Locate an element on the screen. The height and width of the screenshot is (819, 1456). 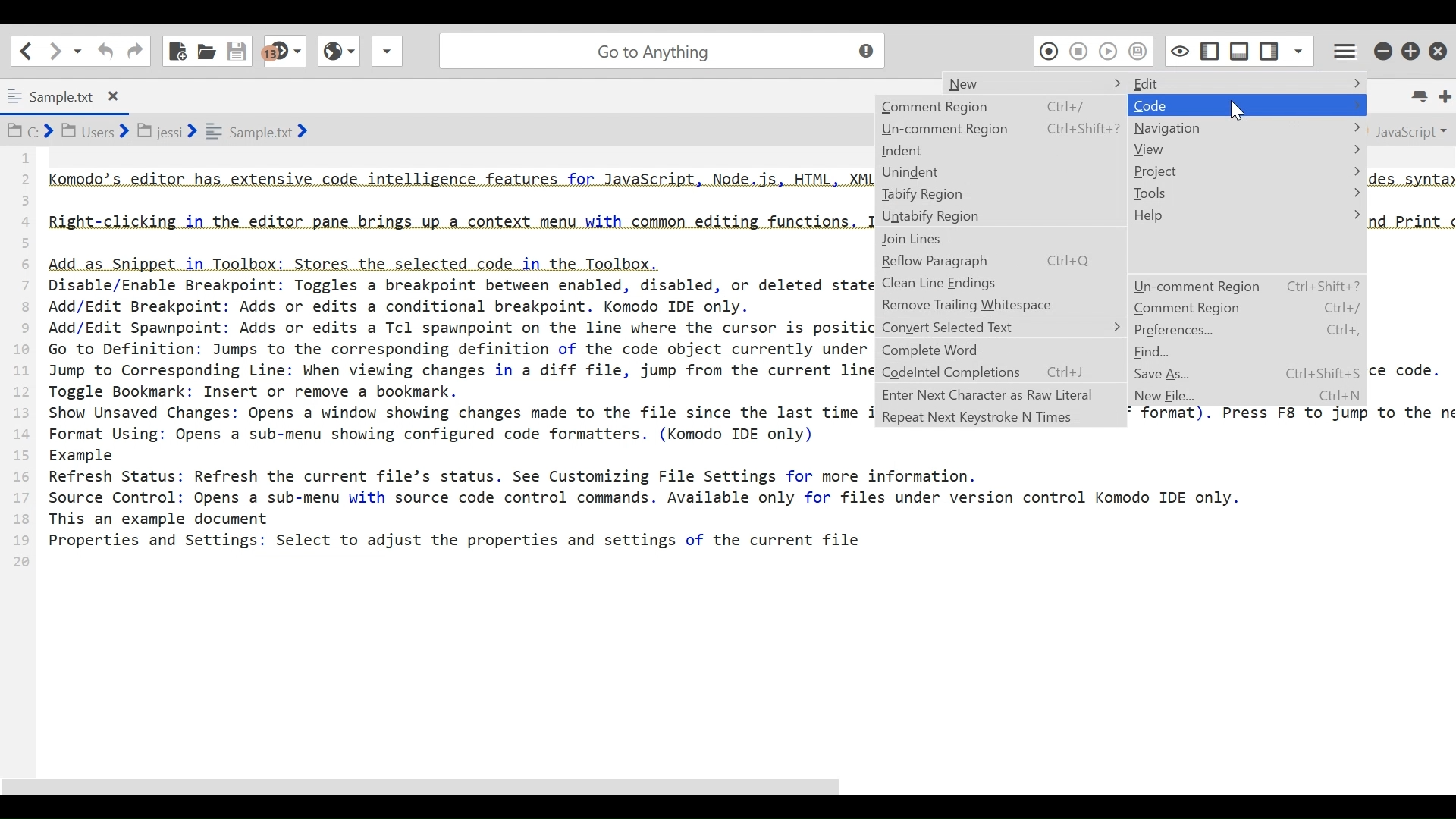
Search is located at coordinates (659, 49).